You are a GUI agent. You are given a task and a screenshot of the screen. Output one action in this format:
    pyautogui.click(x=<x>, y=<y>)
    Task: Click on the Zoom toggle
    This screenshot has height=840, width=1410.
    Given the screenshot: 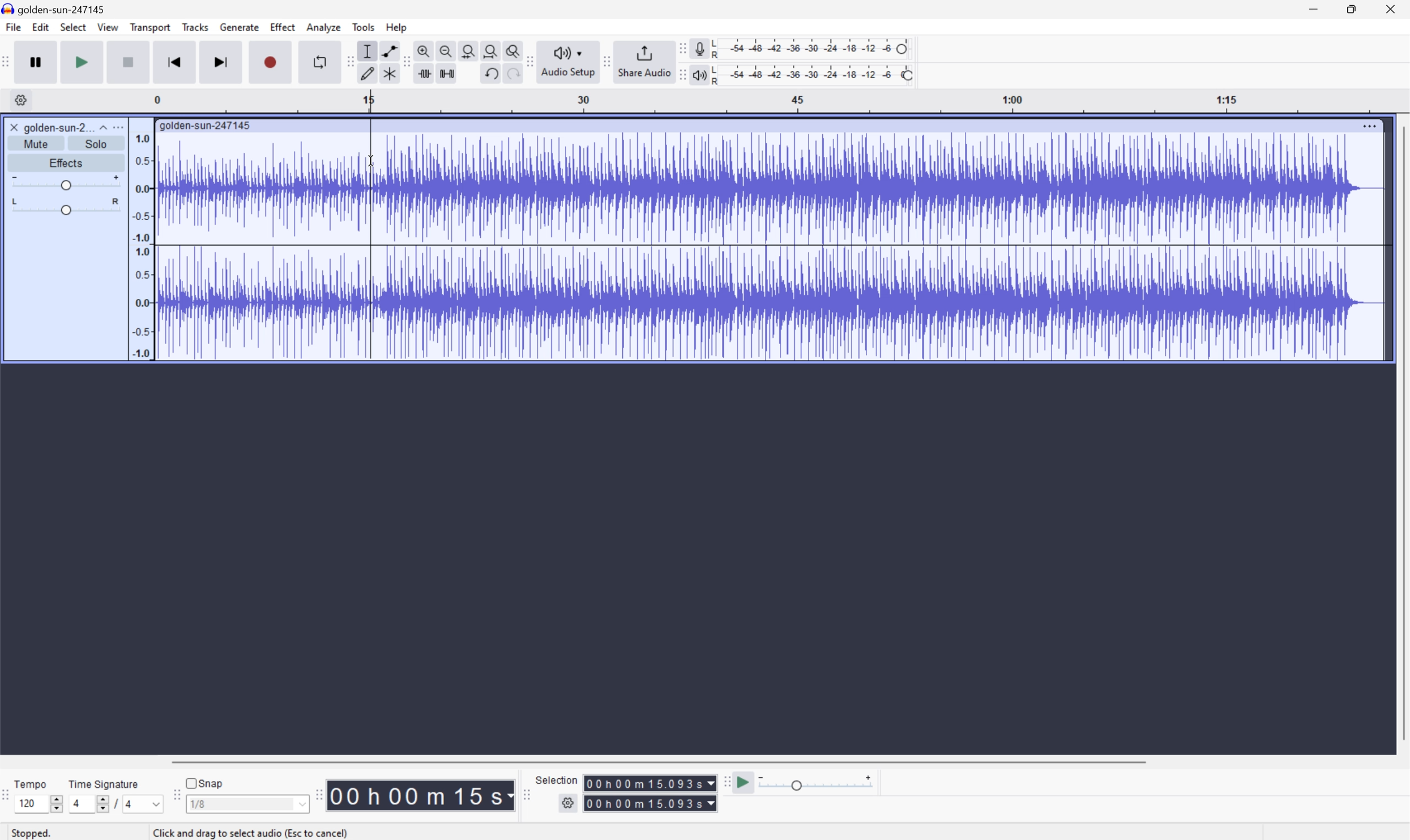 What is the action you would take?
    pyautogui.click(x=514, y=49)
    